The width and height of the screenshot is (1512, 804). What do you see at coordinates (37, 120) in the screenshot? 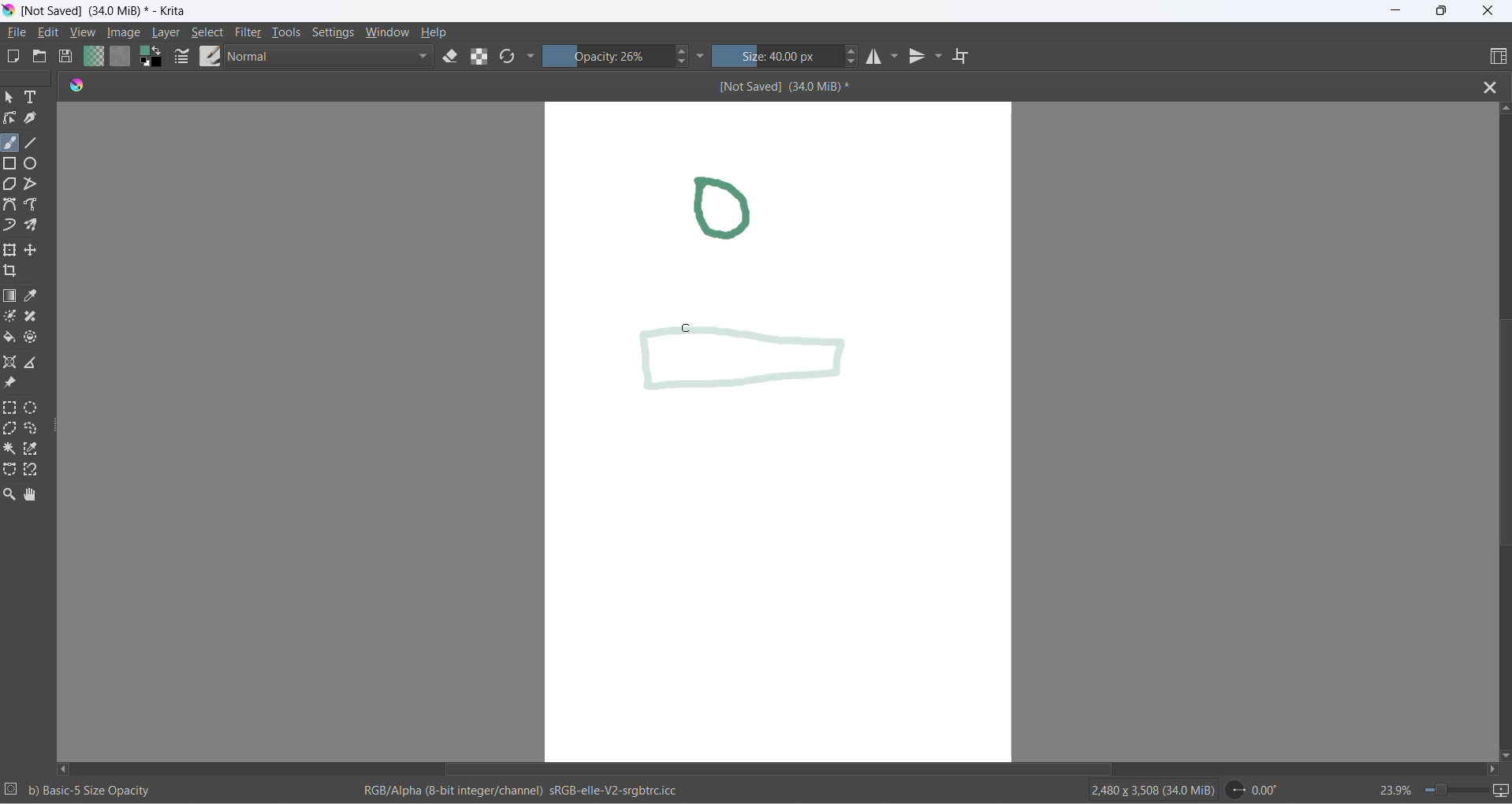
I see `calligraphy` at bounding box center [37, 120].